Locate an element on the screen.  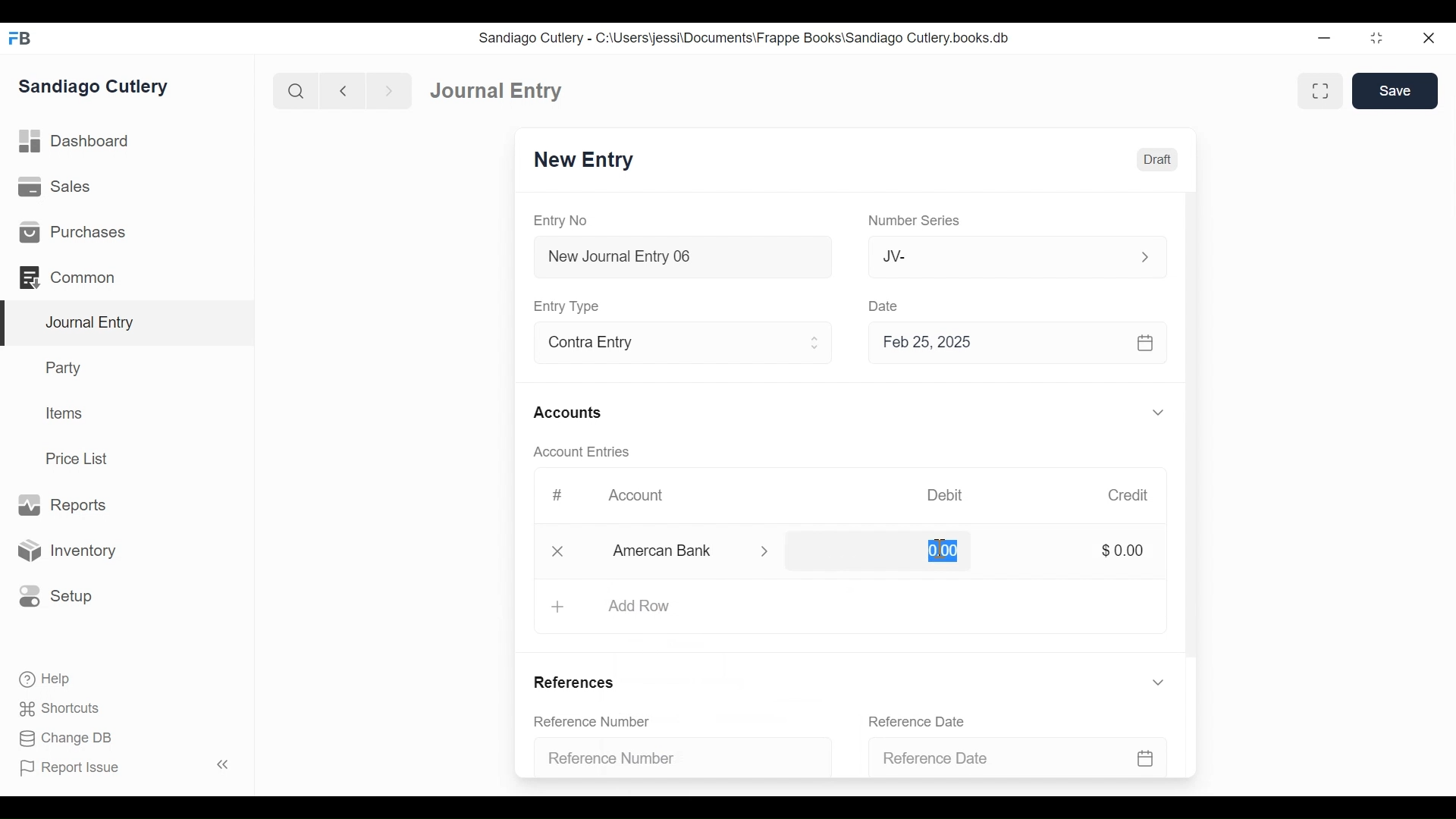
Reference Date is located at coordinates (1021, 756).